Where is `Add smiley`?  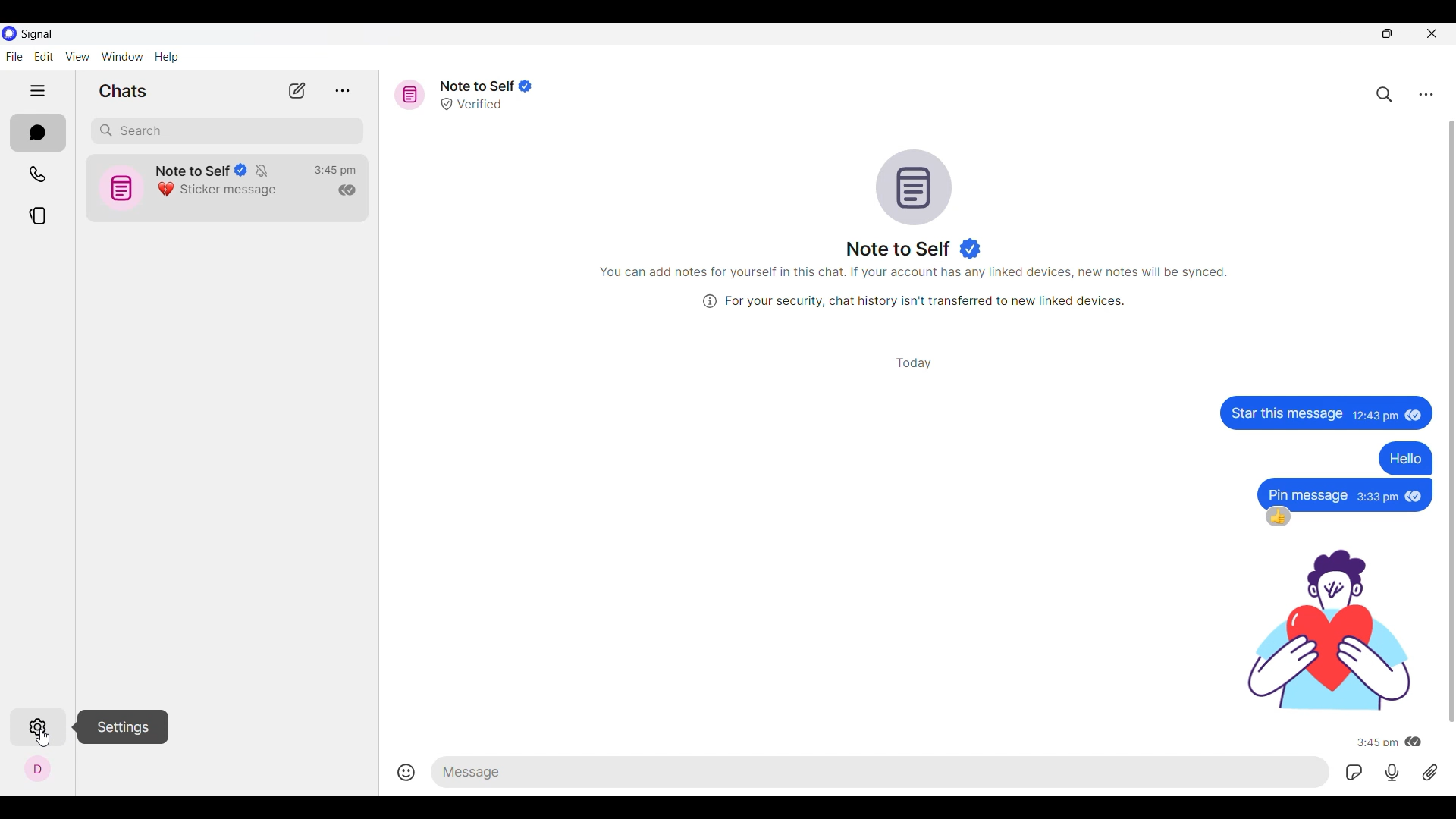
Add smiley is located at coordinates (406, 772).